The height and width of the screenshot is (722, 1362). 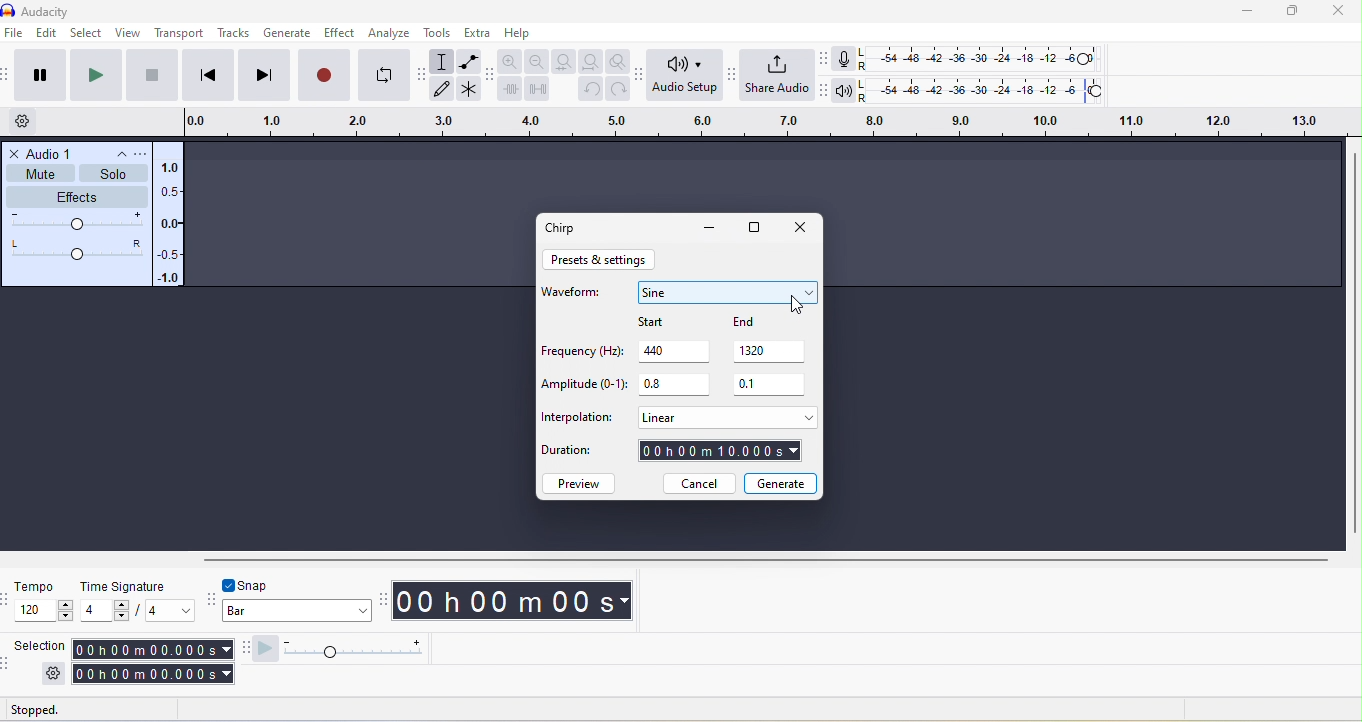 What do you see at coordinates (9, 599) in the screenshot?
I see `audacity time signature toolbar` at bounding box center [9, 599].